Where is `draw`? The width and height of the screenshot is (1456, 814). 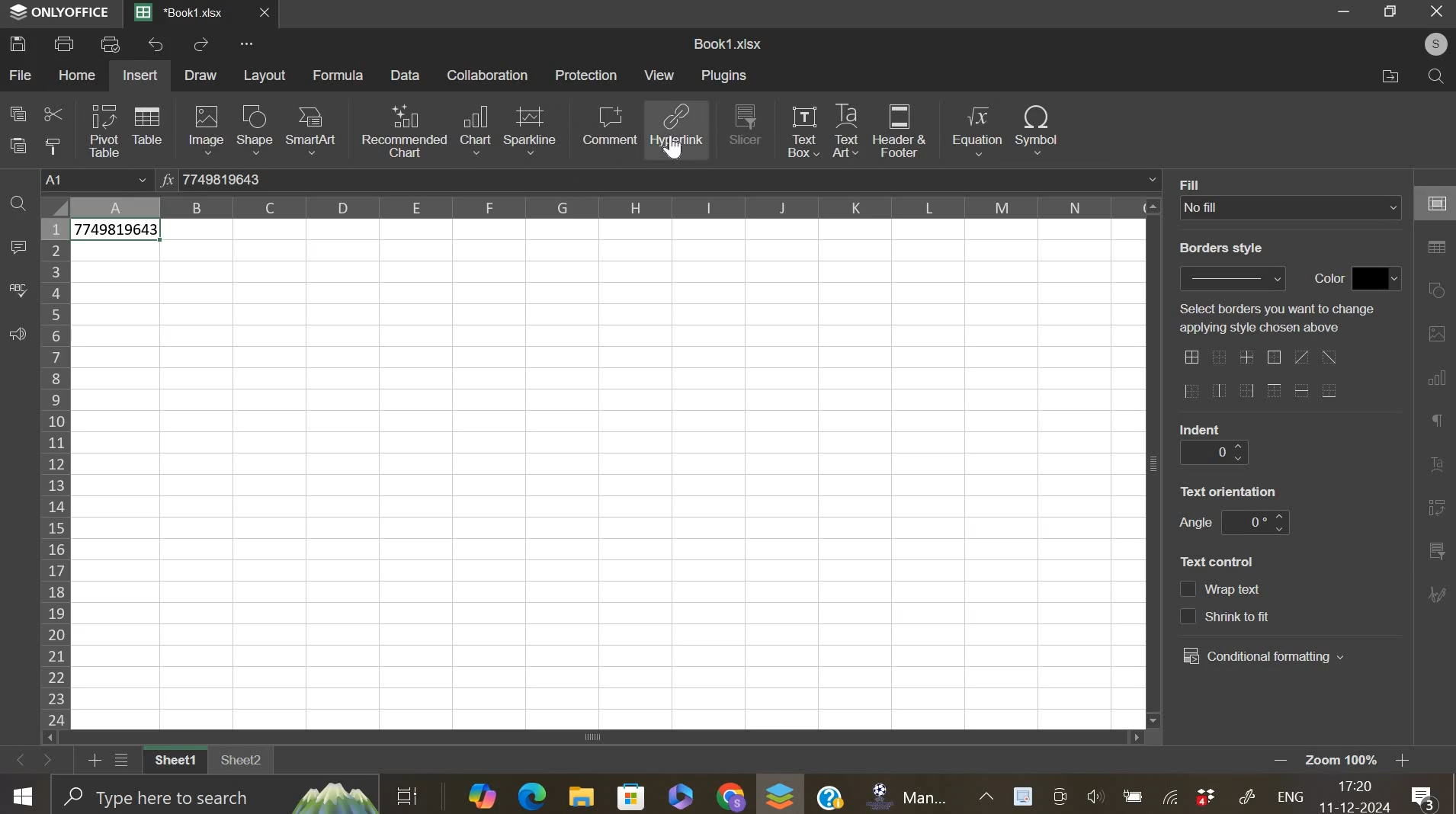 draw is located at coordinates (201, 75).